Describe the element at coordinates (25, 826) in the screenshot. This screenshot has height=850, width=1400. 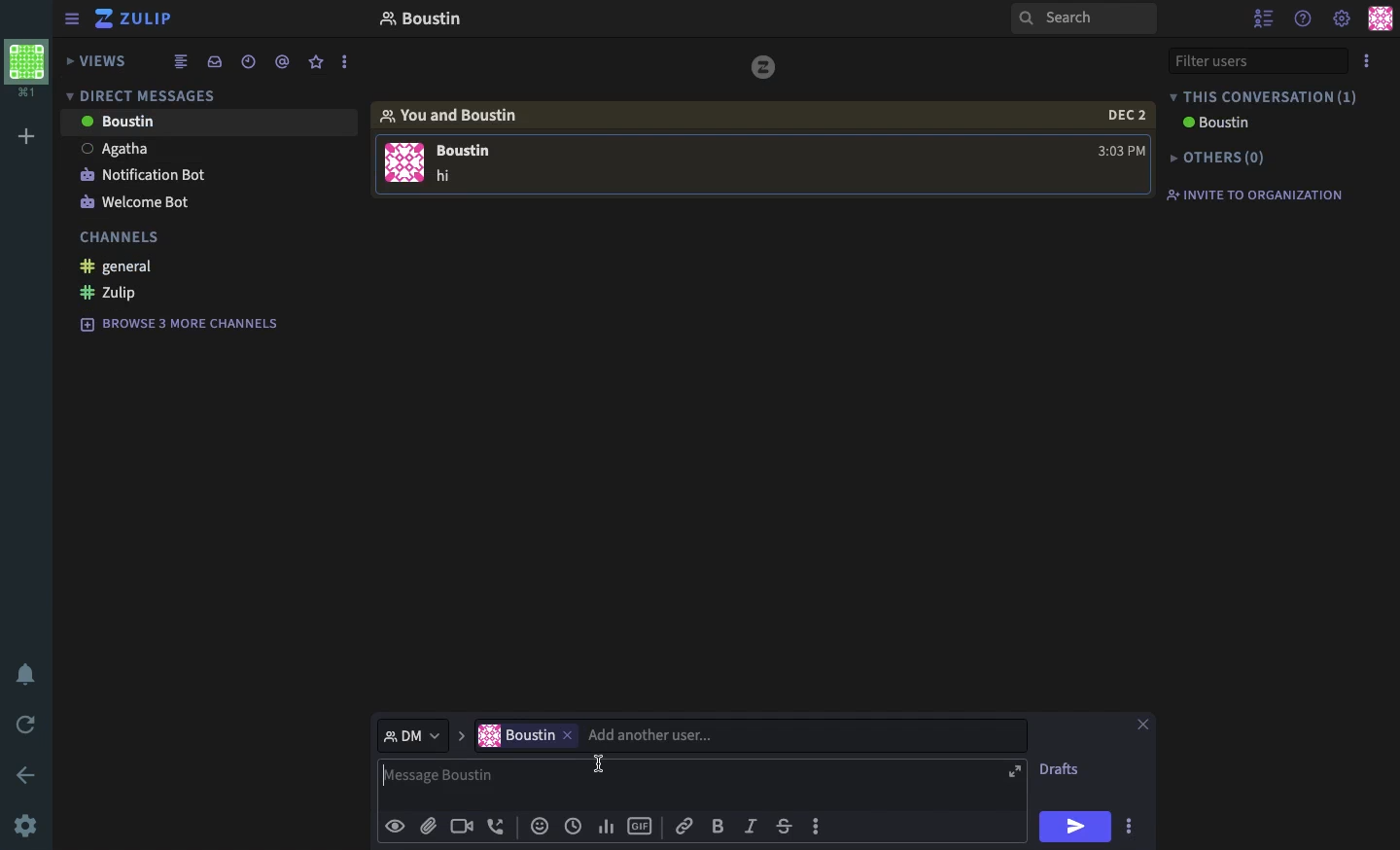
I see `settings` at that location.